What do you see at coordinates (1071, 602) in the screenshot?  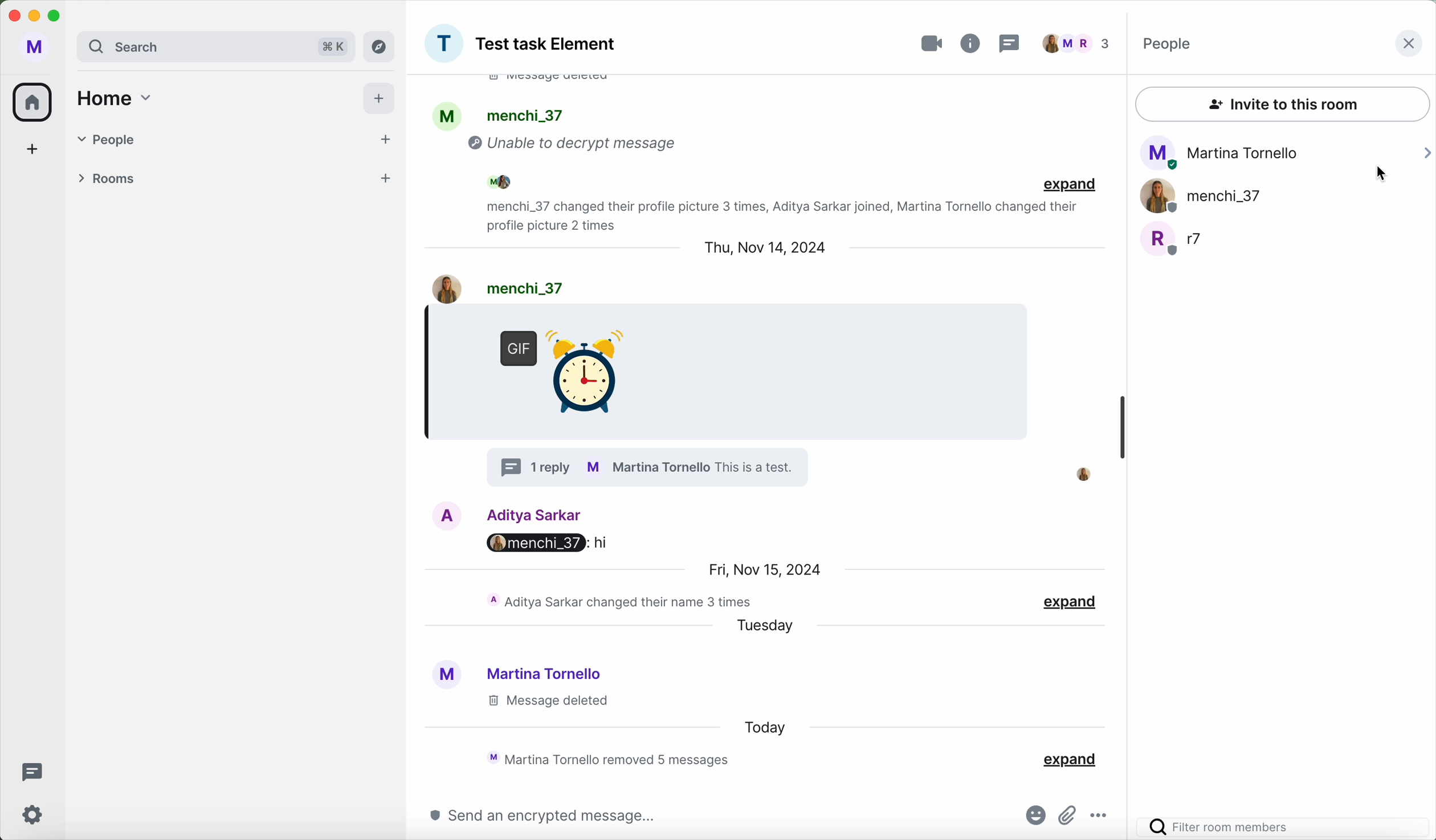 I see `expand` at bounding box center [1071, 602].